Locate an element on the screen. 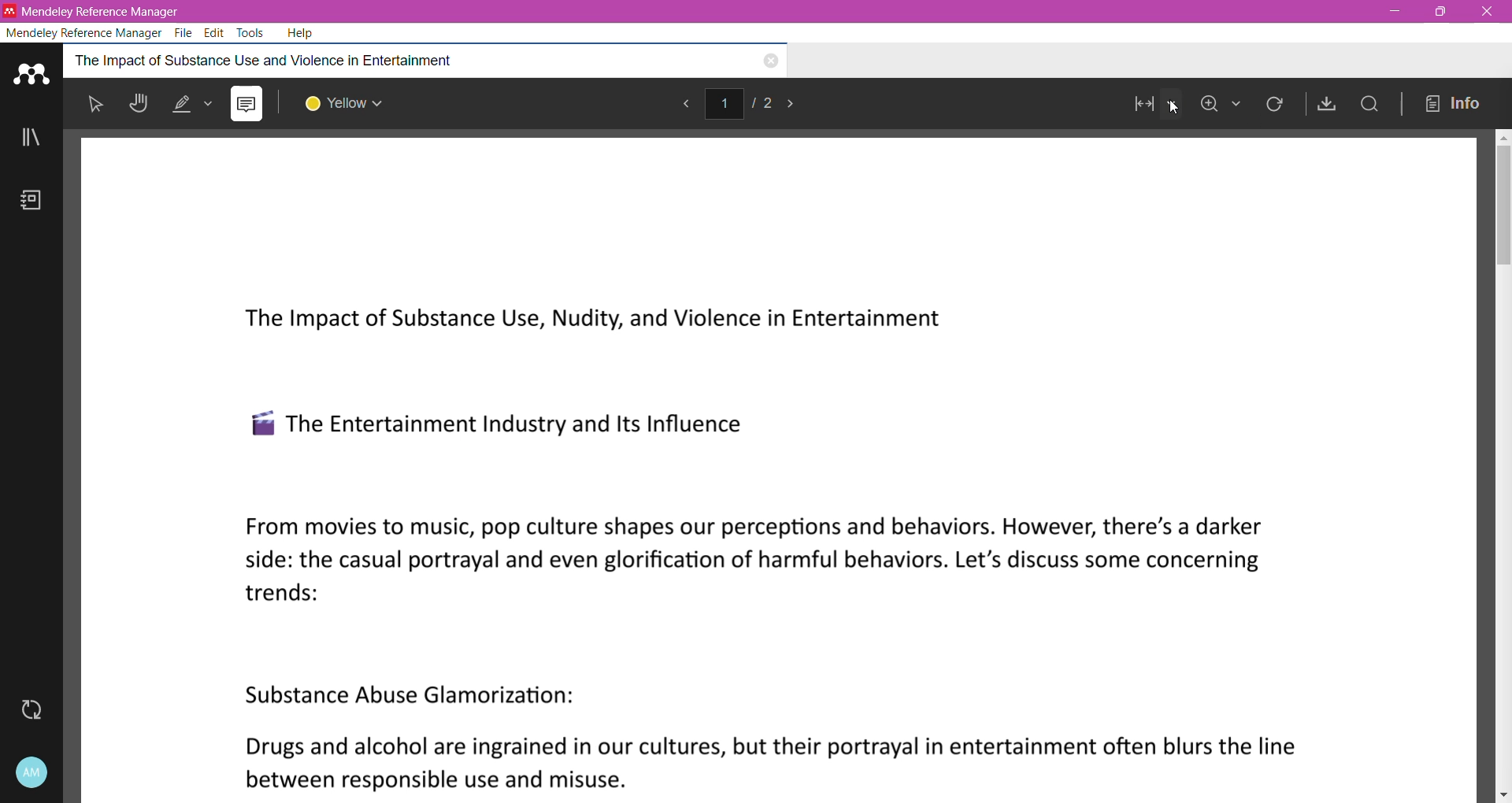 The image size is (1512, 803).  is located at coordinates (143, 105).